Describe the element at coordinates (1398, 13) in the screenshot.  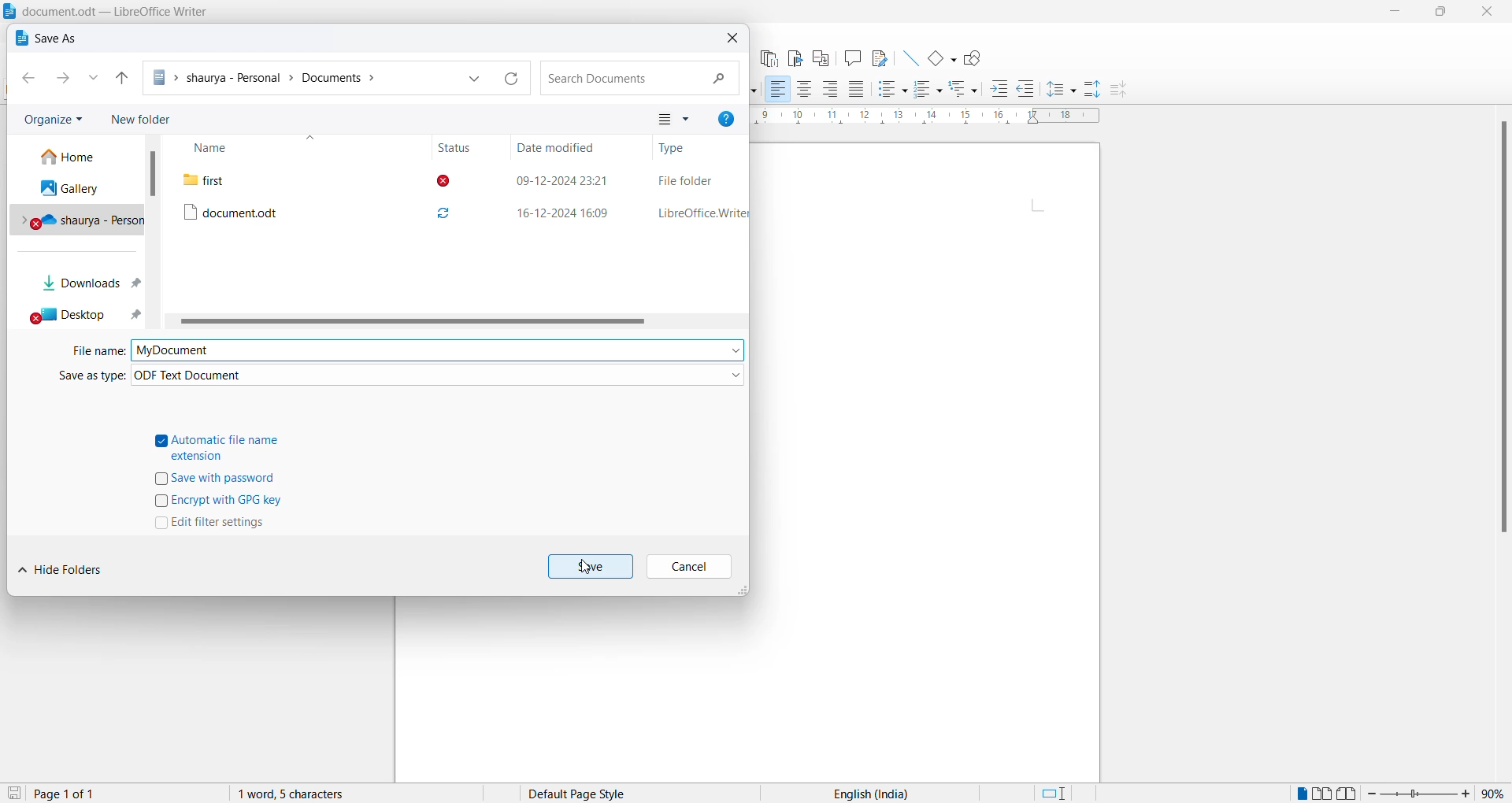
I see `minimize` at that location.